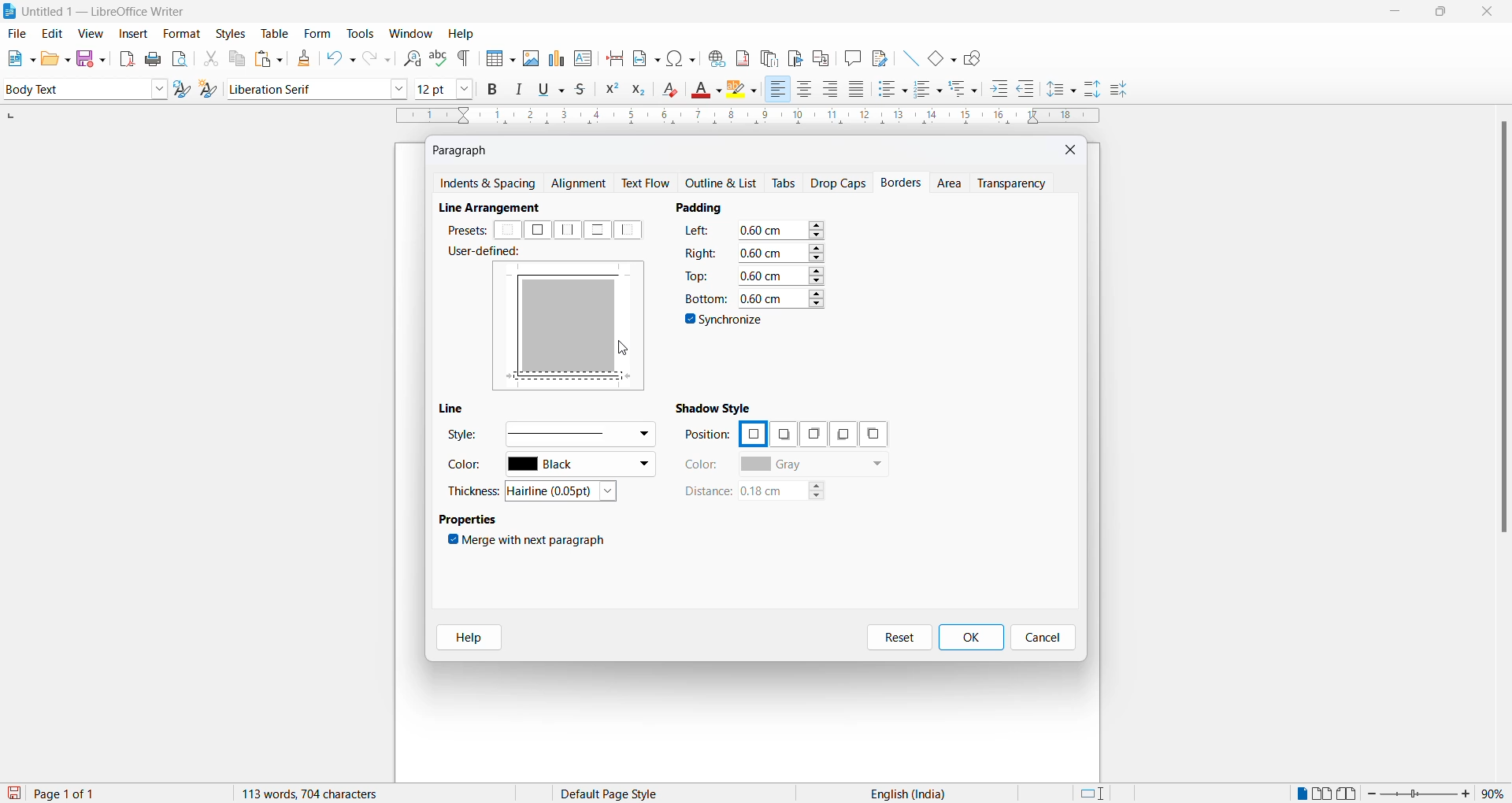 This screenshot has height=803, width=1512. What do you see at coordinates (903, 183) in the screenshot?
I see `borders` at bounding box center [903, 183].